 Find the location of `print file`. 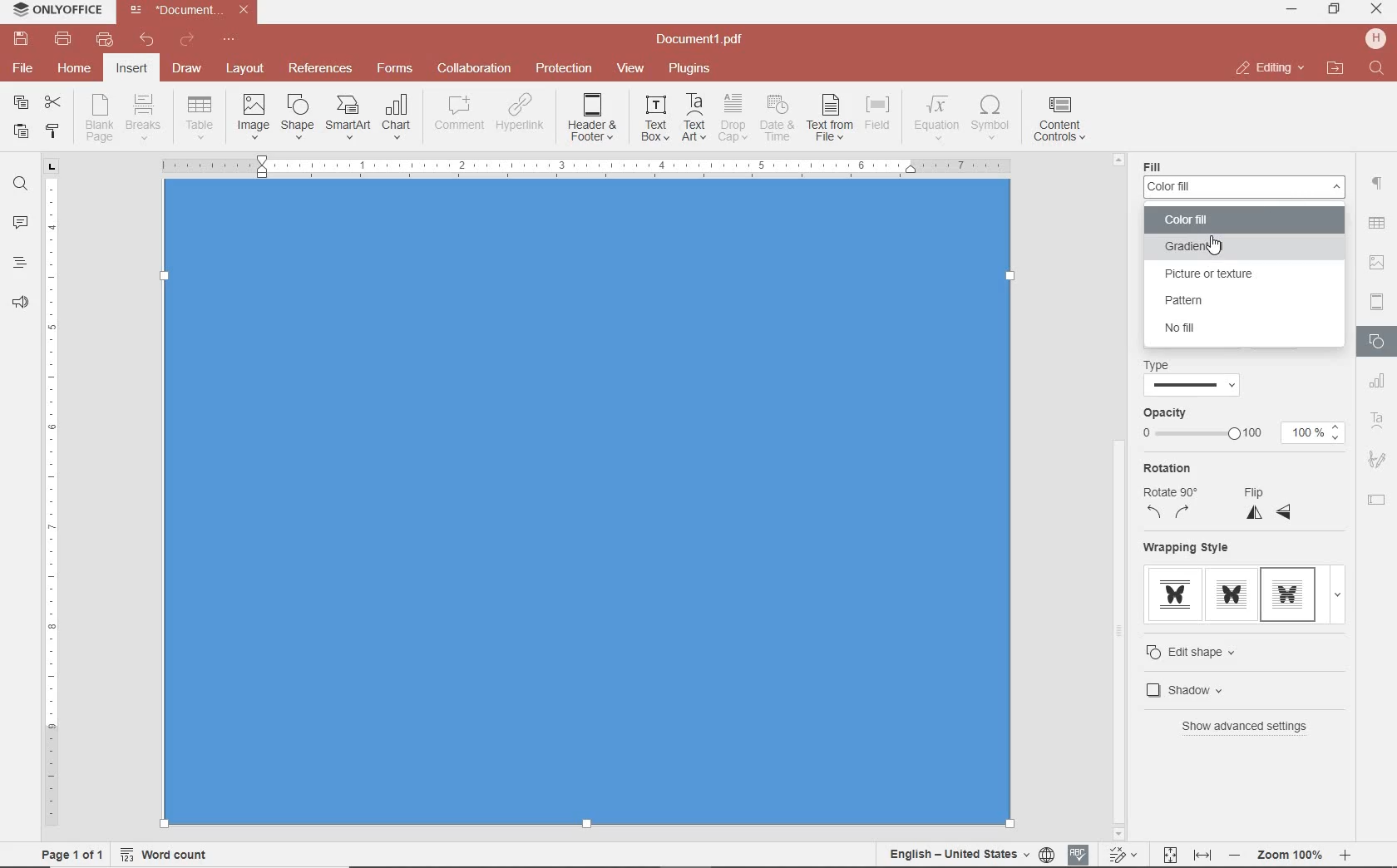

print file is located at coordinates (63, 39).